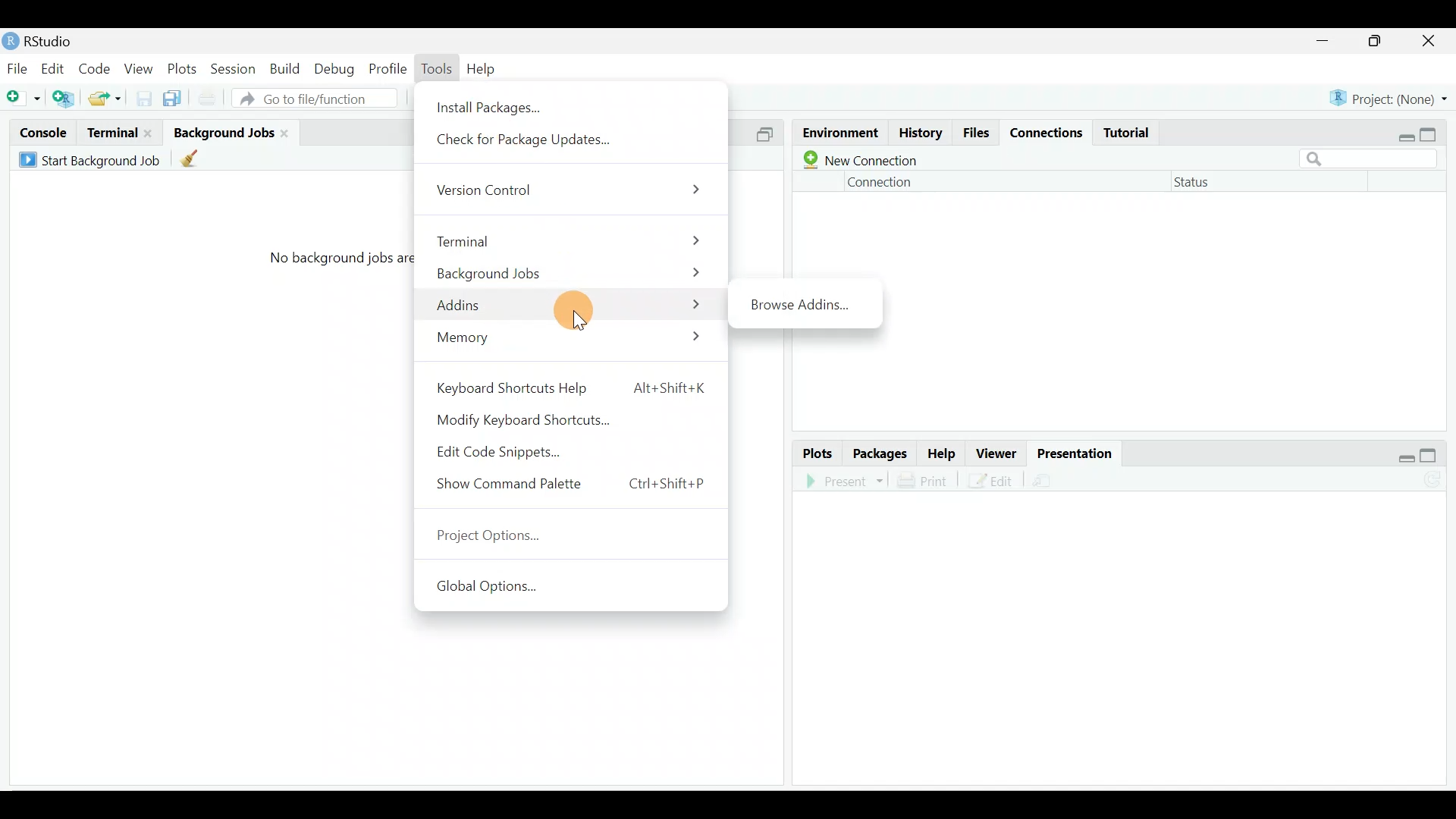  Describe the element at coordinates (841, 130) in the screenshot. I see `Environment` at that location.